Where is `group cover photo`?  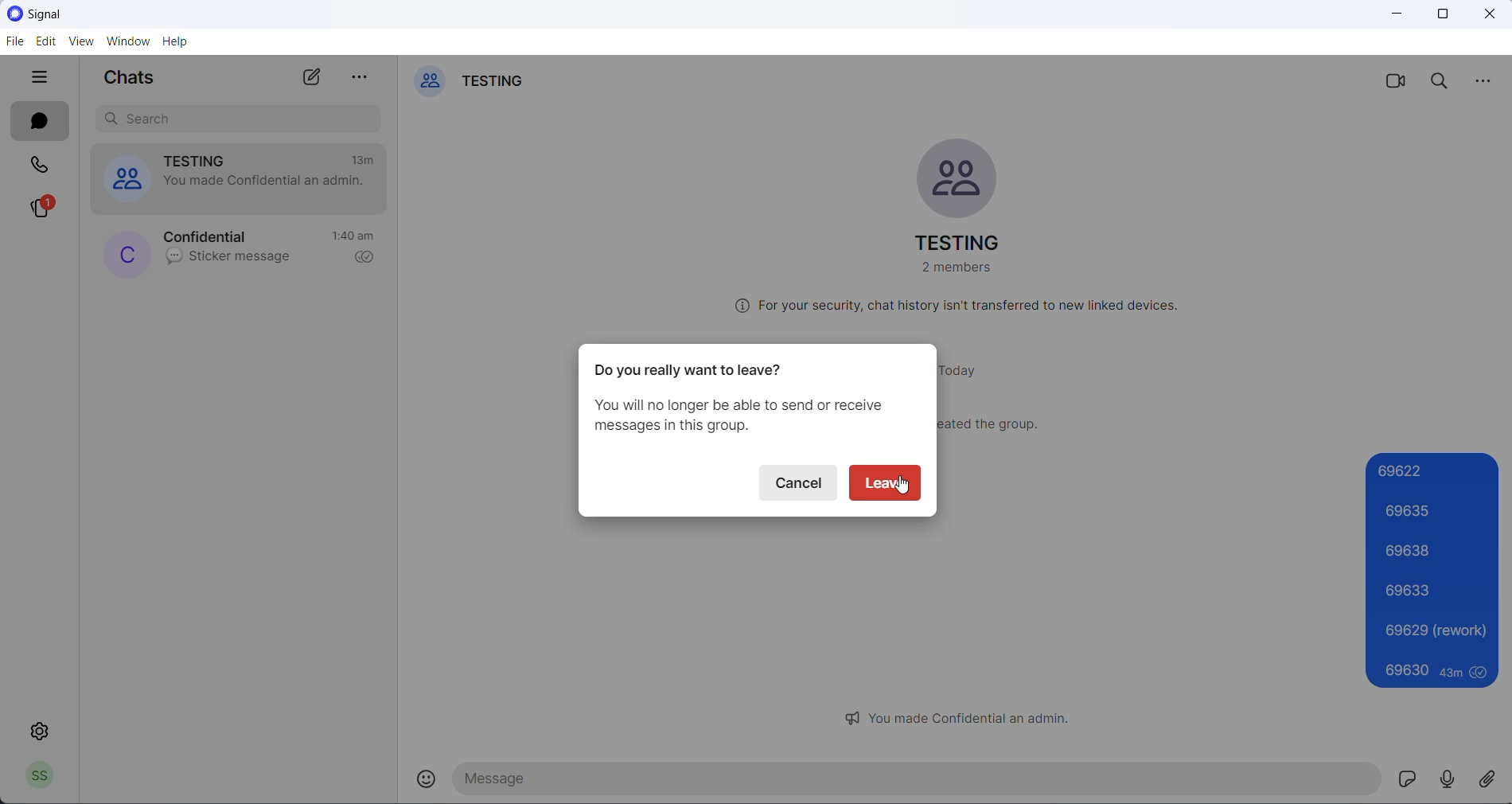
group cover photo is located at coordinates (965, 178).